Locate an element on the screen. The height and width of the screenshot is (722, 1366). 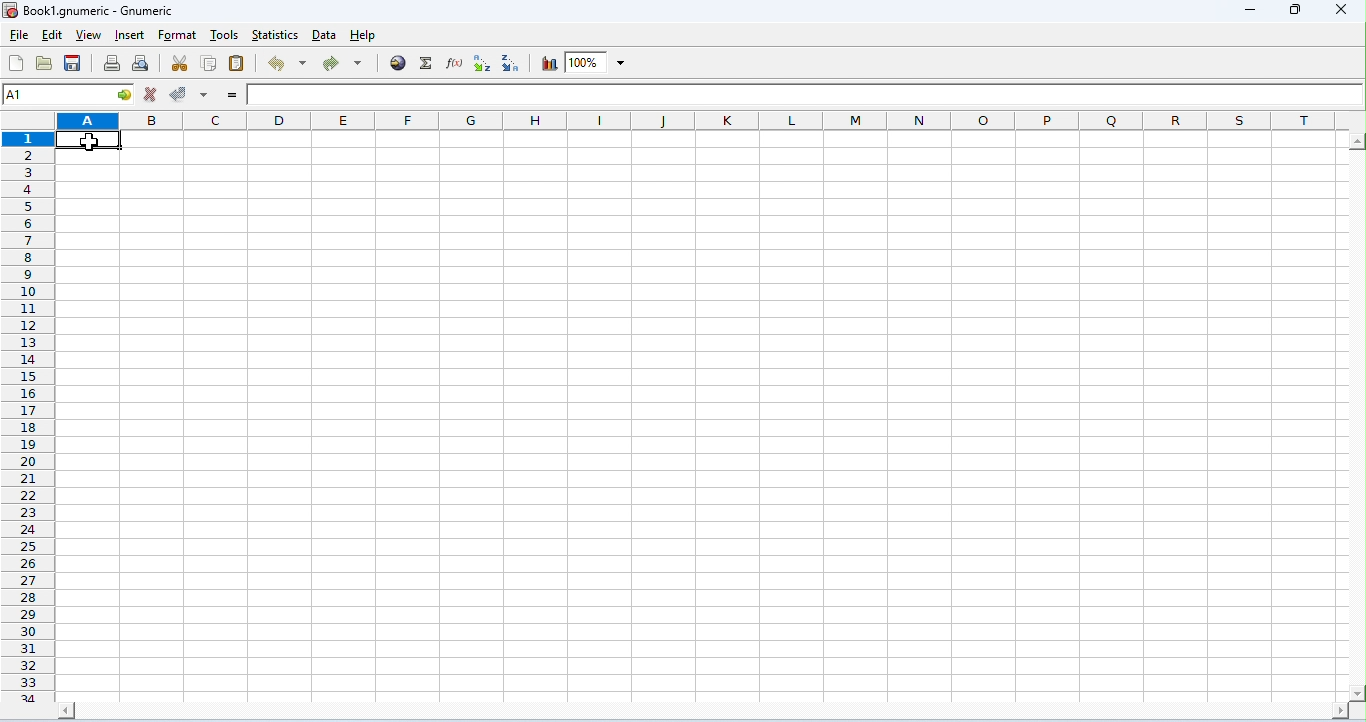
vertical slider is located at coordinates (1357, 403).